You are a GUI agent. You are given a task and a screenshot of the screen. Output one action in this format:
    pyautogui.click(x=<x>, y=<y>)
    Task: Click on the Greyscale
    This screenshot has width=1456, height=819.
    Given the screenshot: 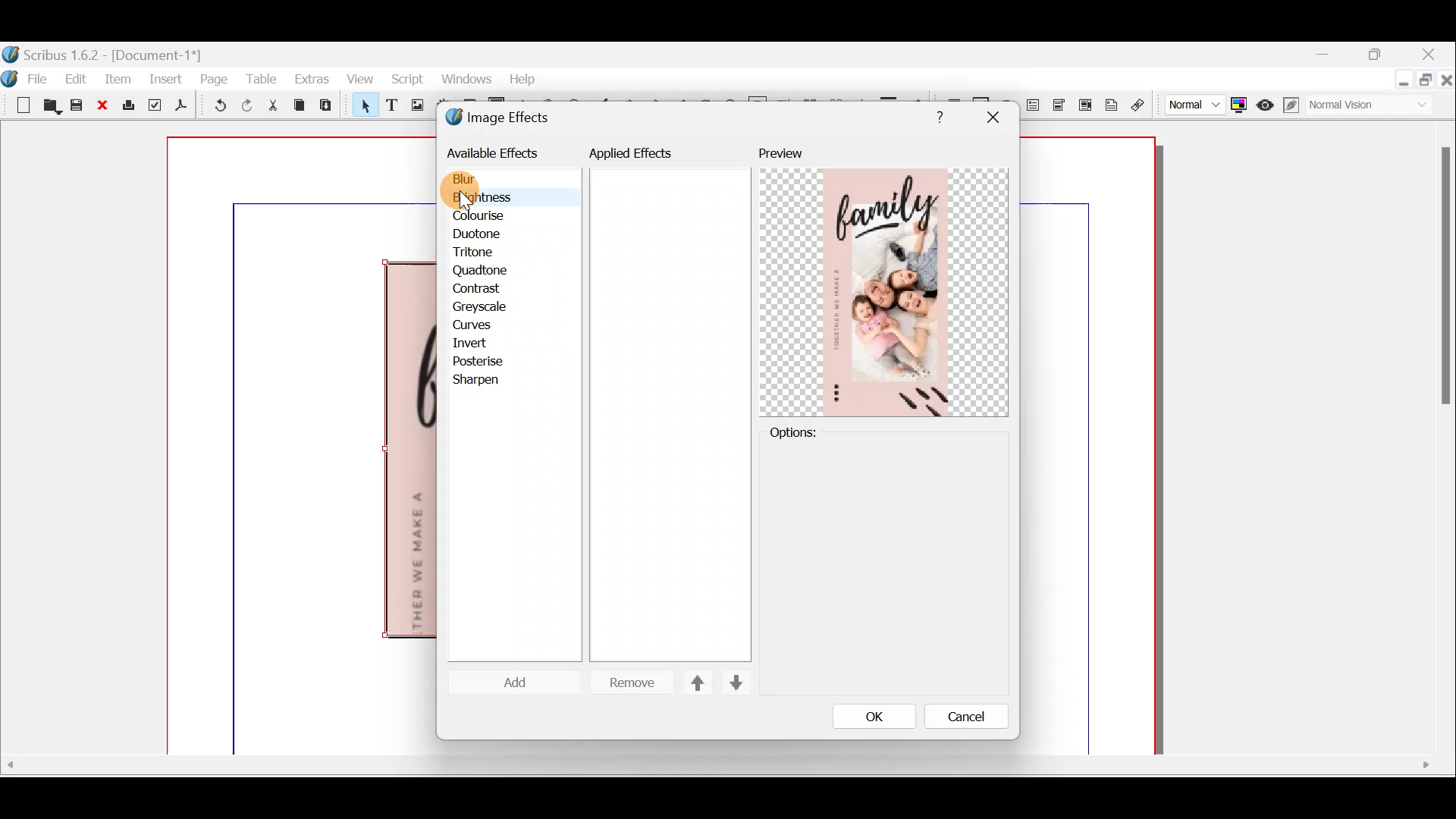 What is the action you would take?
    pyautogui.click(x=485, y=307)
    